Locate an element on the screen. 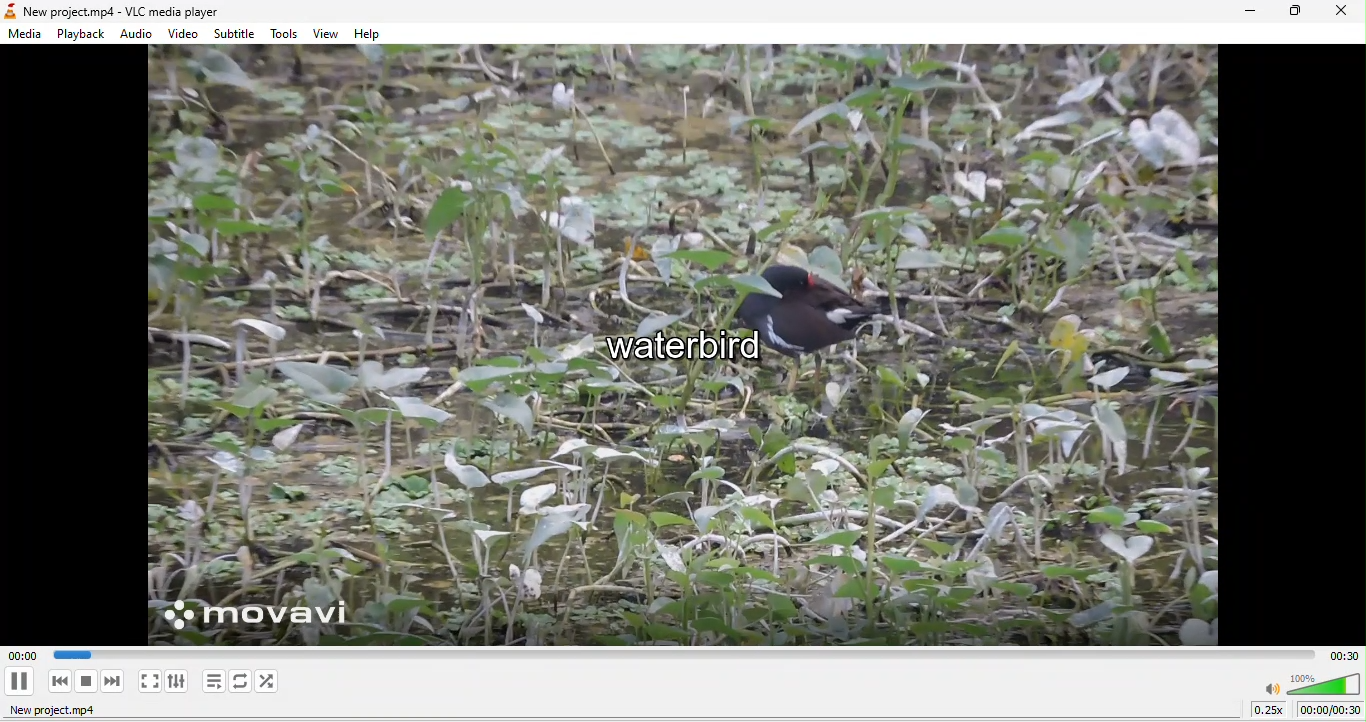  playback is located at coordinates (82, 32).